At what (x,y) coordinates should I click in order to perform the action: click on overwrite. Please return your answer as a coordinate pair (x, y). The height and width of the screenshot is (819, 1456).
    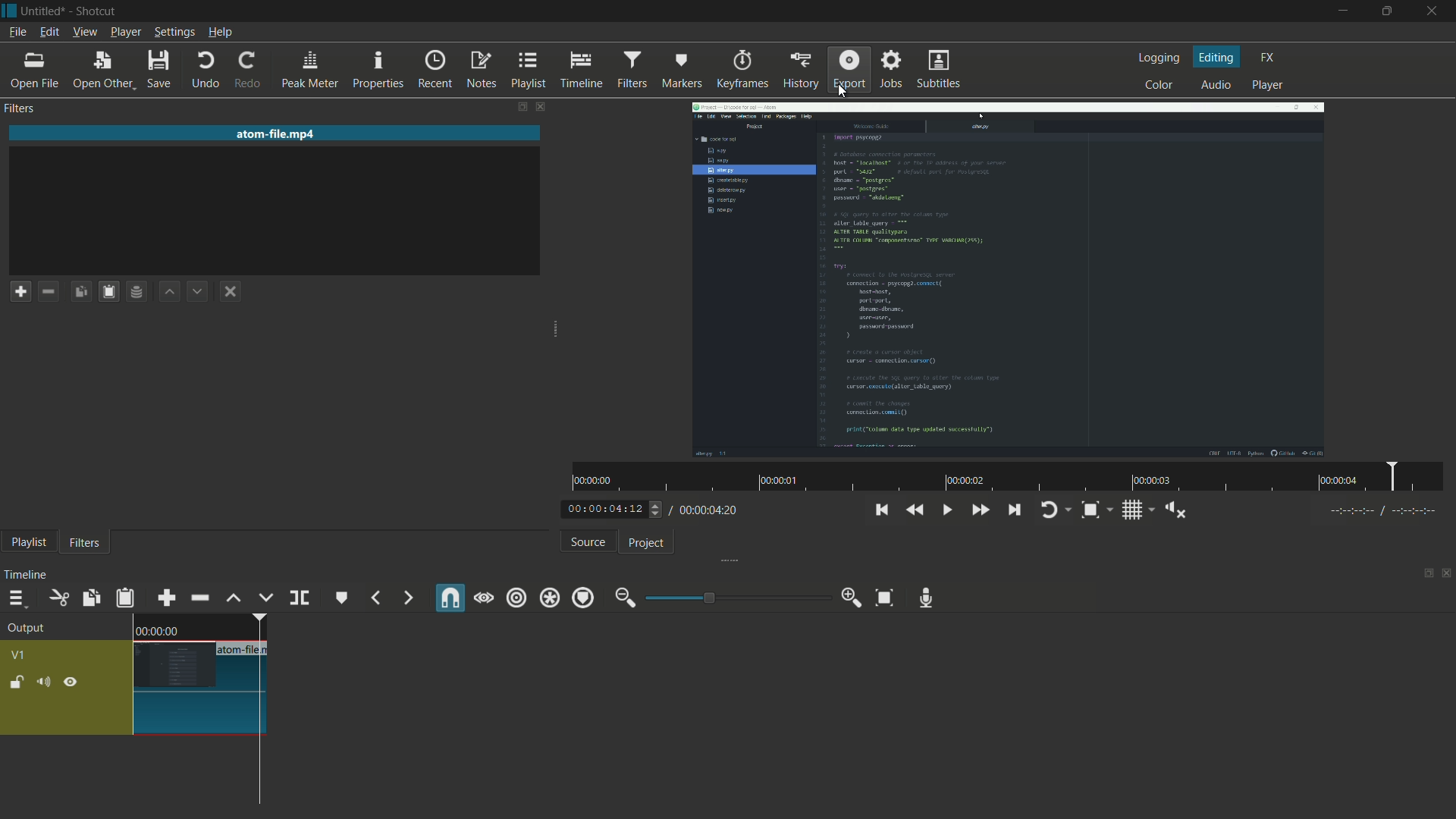
    Looking at the image, I should click on (266, 599).